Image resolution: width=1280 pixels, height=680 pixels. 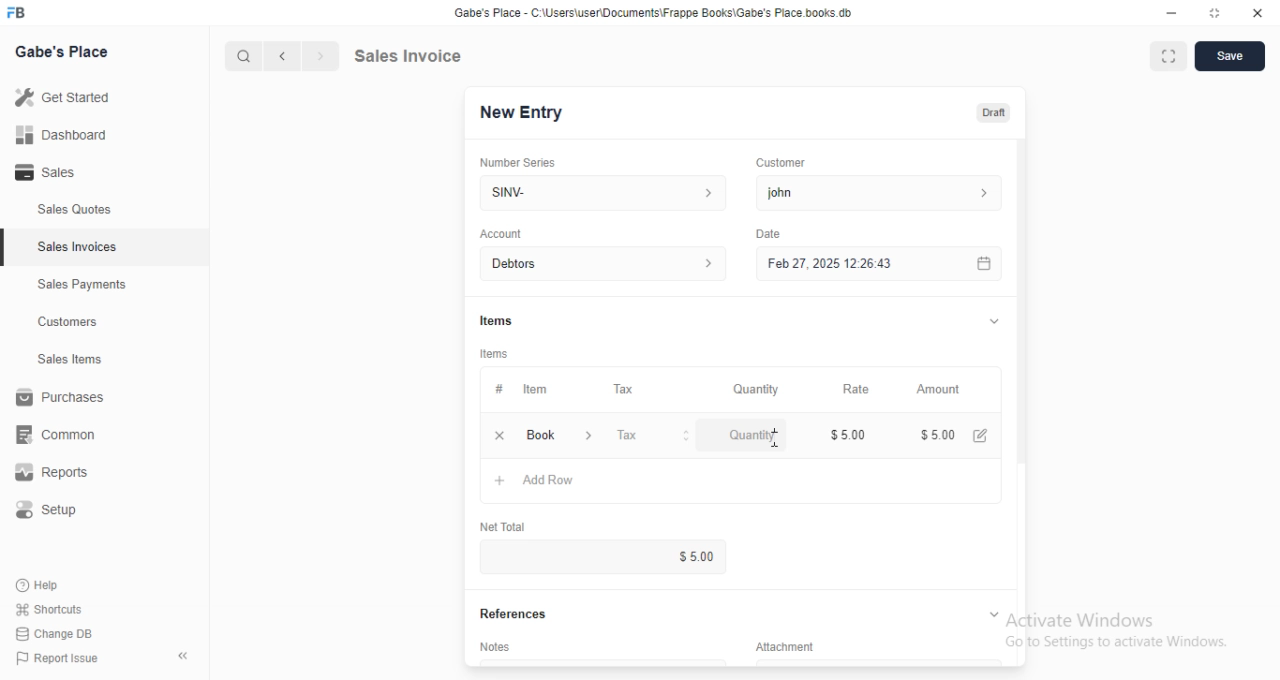 I want to click on Help, so click(x=44, y=585).